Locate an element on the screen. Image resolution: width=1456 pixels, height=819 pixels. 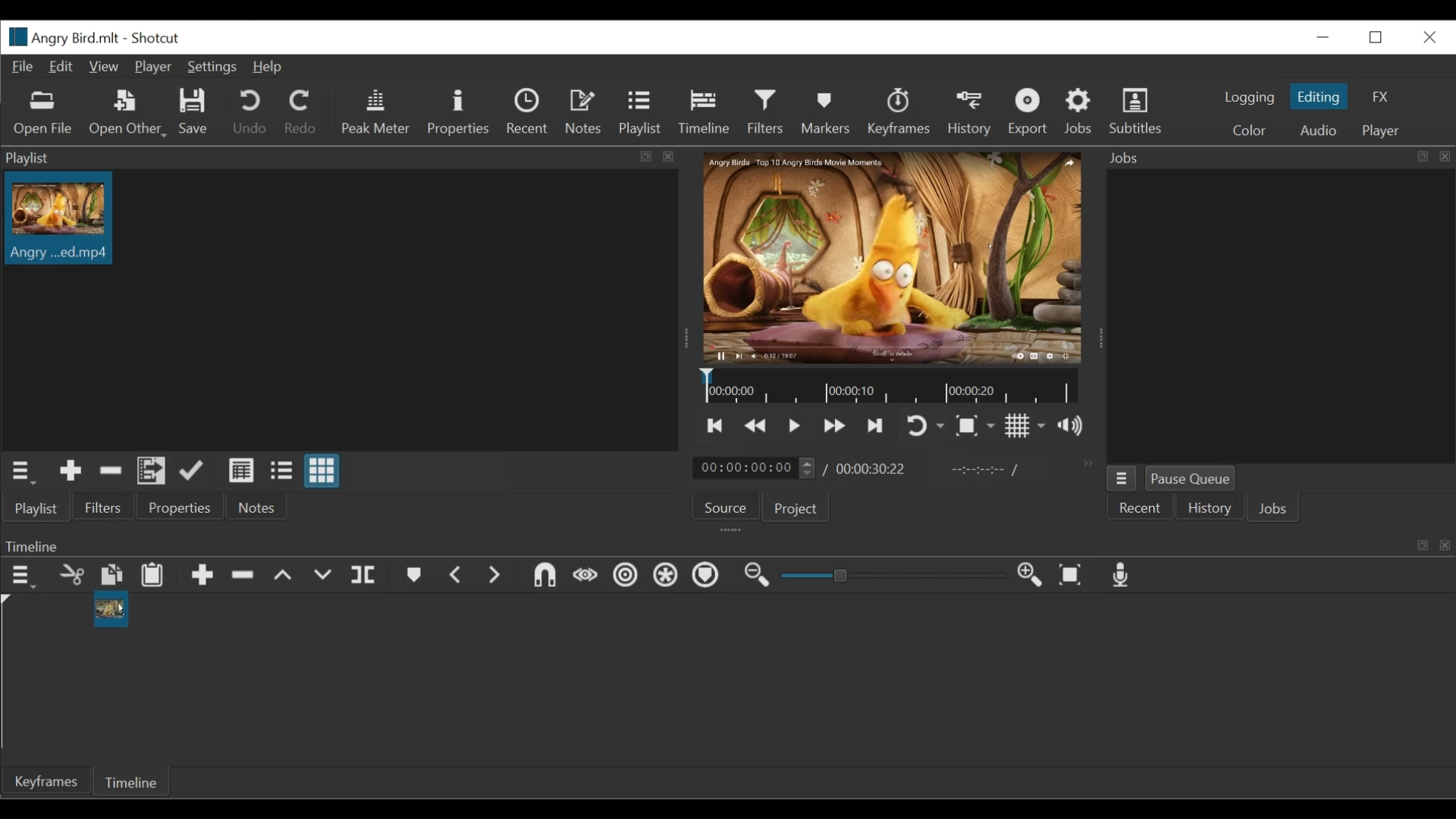
Zoom timeline in is located at coordinates (1030, 576).